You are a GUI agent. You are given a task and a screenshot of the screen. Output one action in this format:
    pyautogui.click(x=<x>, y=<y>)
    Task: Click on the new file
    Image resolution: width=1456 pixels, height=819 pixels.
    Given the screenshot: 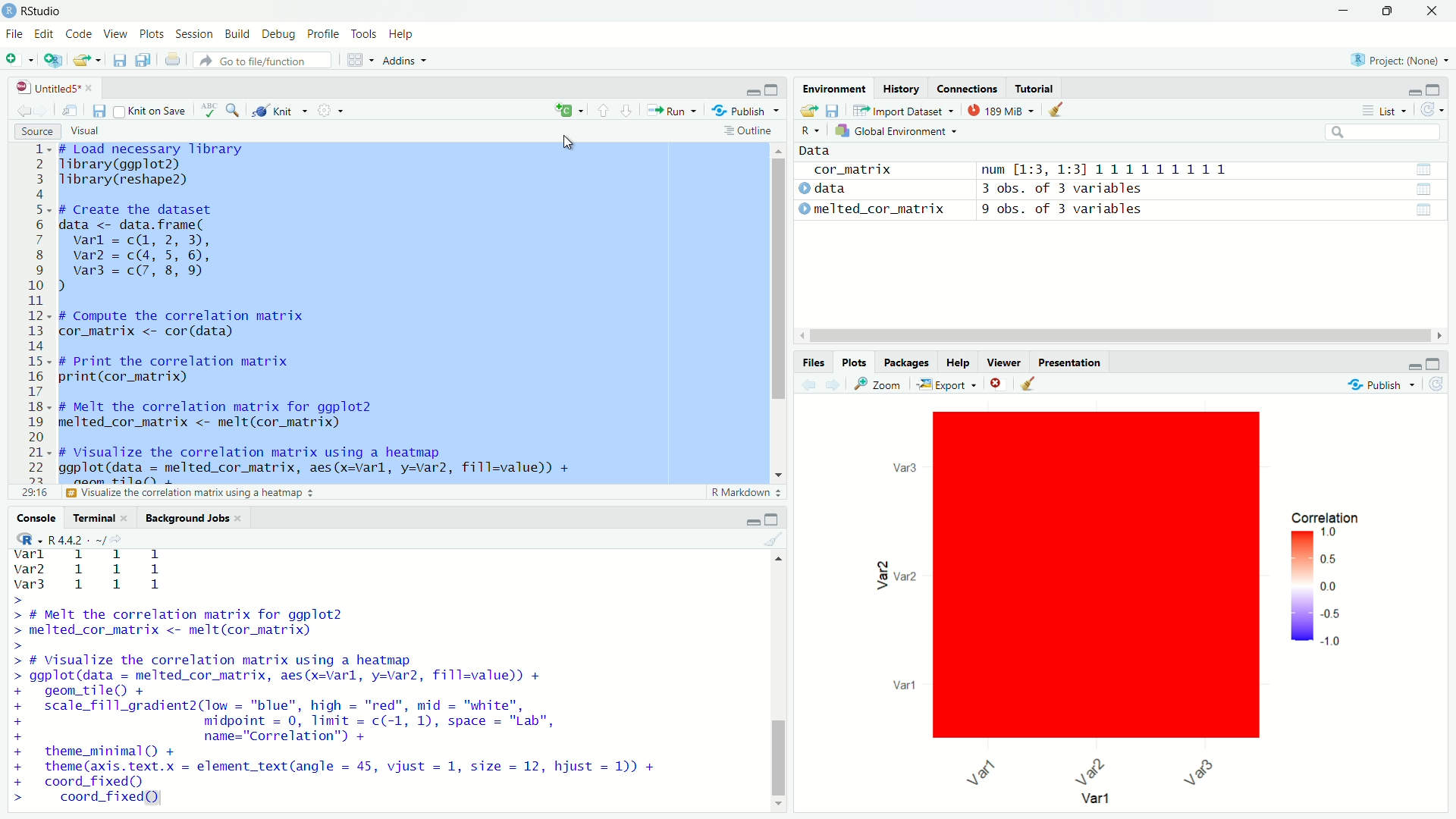 What is the action you would take?
    pyautogui.click(x=15, y=60)
    